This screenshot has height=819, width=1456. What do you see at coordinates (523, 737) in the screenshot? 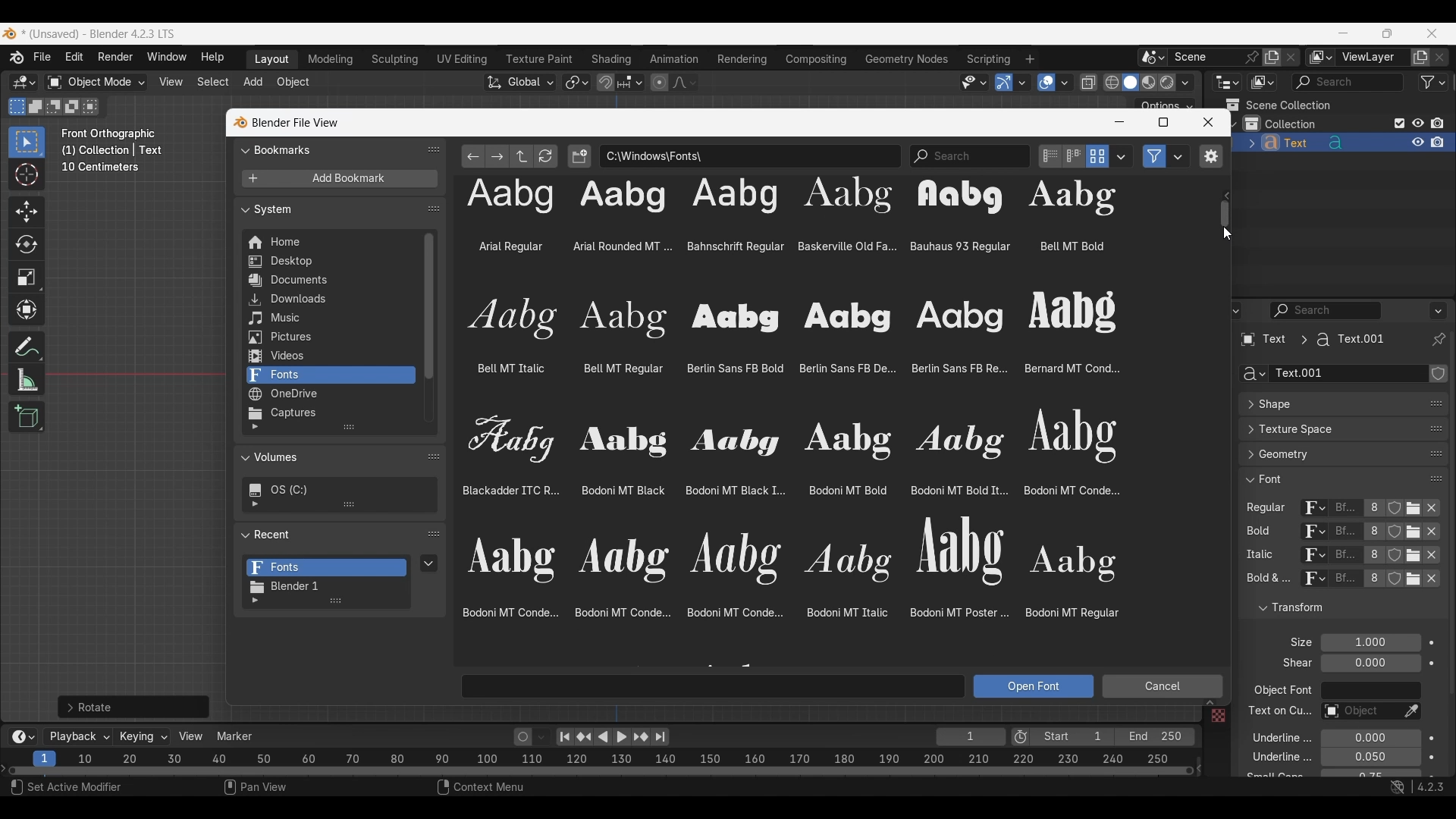
I see `Auto keying ` at bounding box center [523, 737].